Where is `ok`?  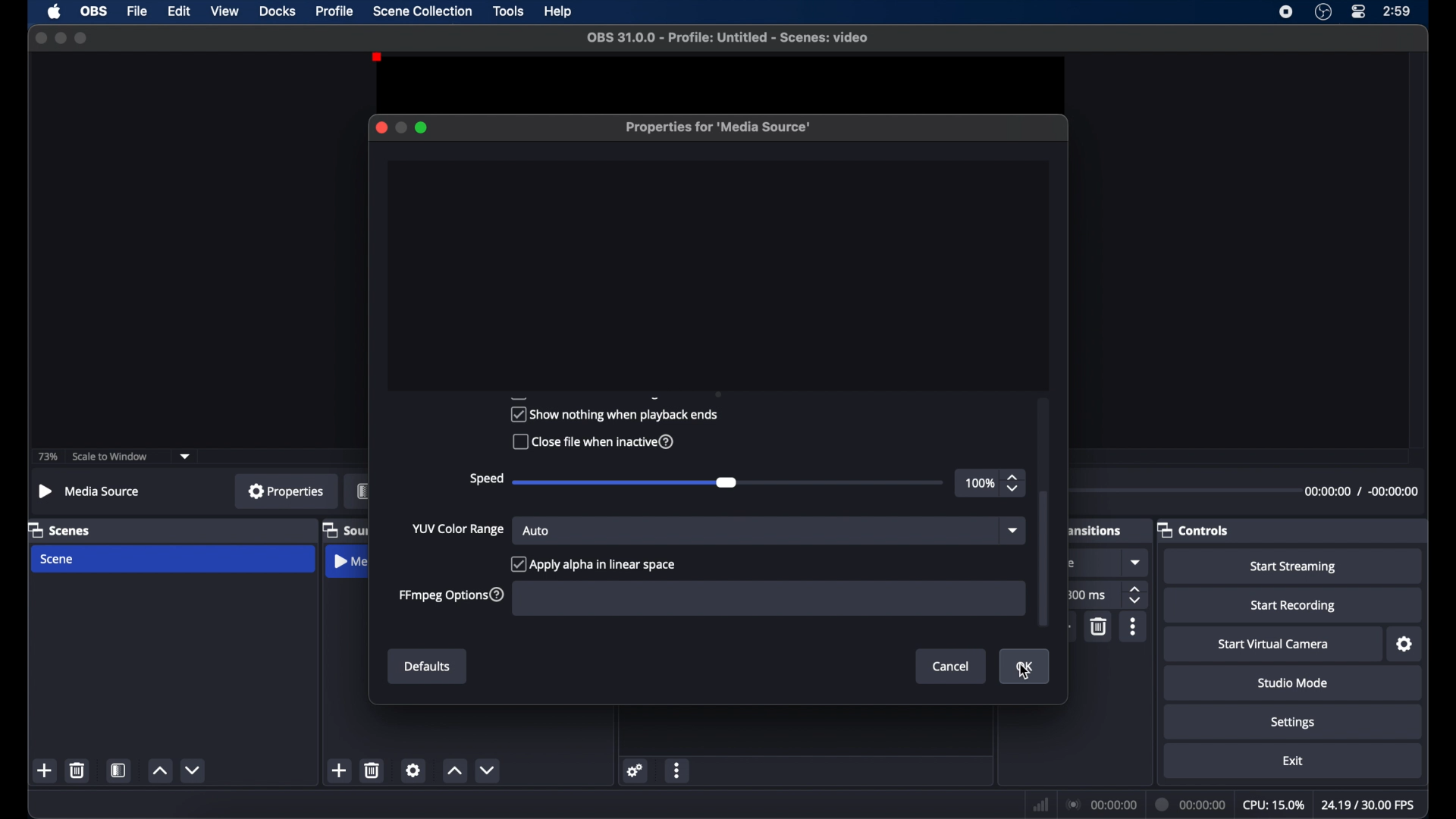
ok is located at coordinates (1025, 667).